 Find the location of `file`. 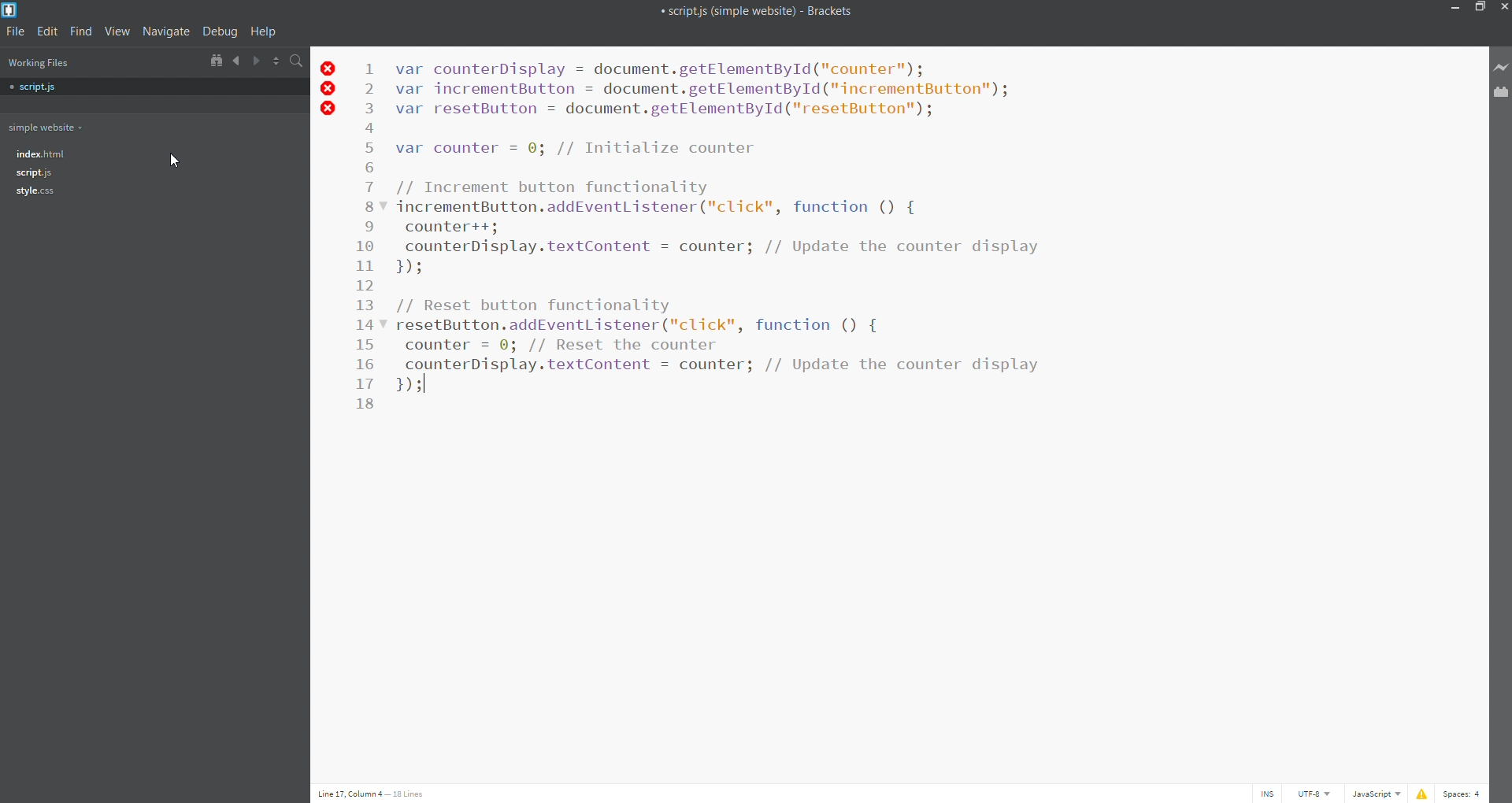

file is located at coordinates (14, 32).